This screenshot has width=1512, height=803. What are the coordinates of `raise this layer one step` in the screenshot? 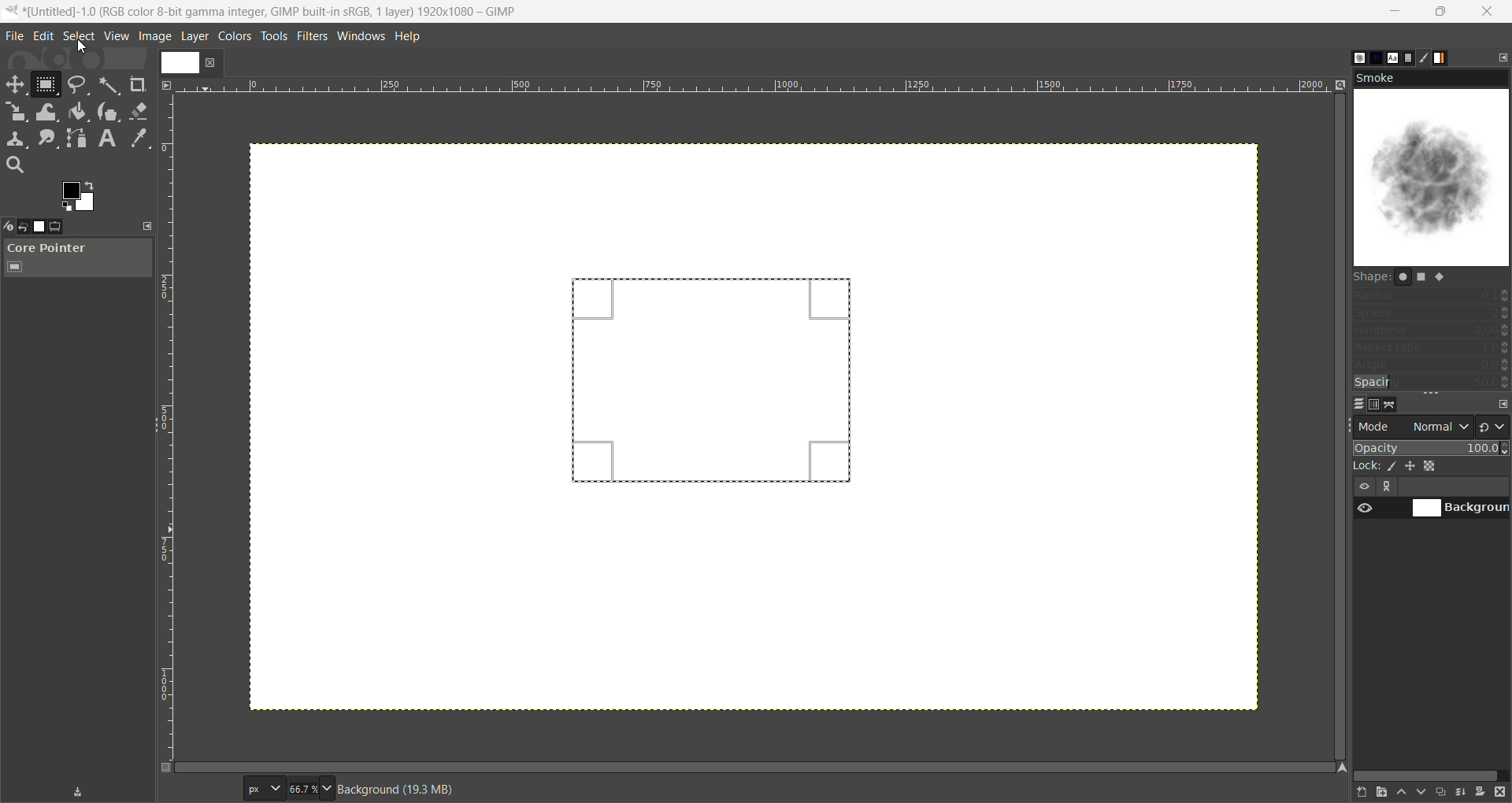 It's located at (1402, 793).